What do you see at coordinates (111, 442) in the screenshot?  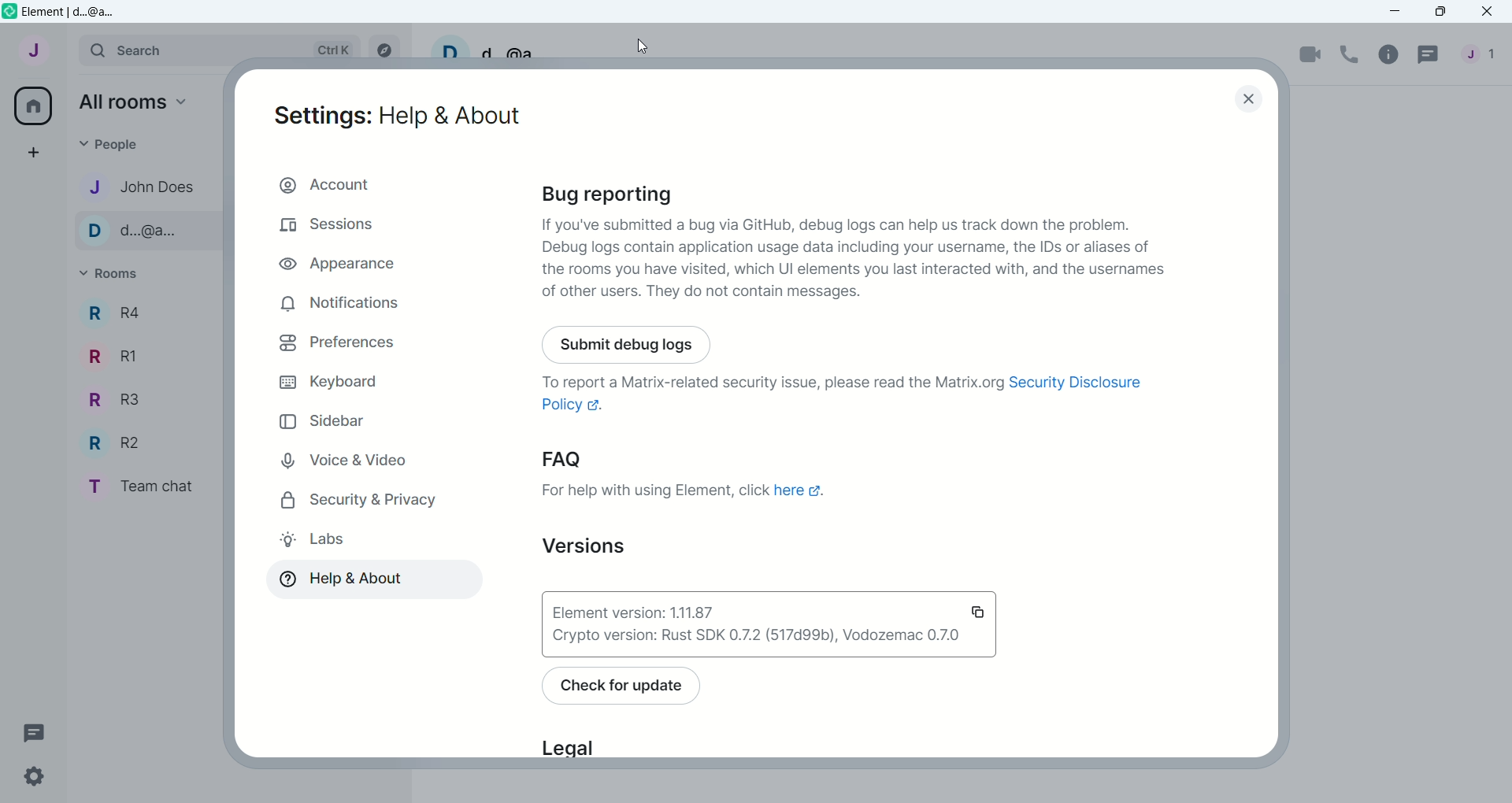 I see `Room R2` at bounding box center [111, 442].